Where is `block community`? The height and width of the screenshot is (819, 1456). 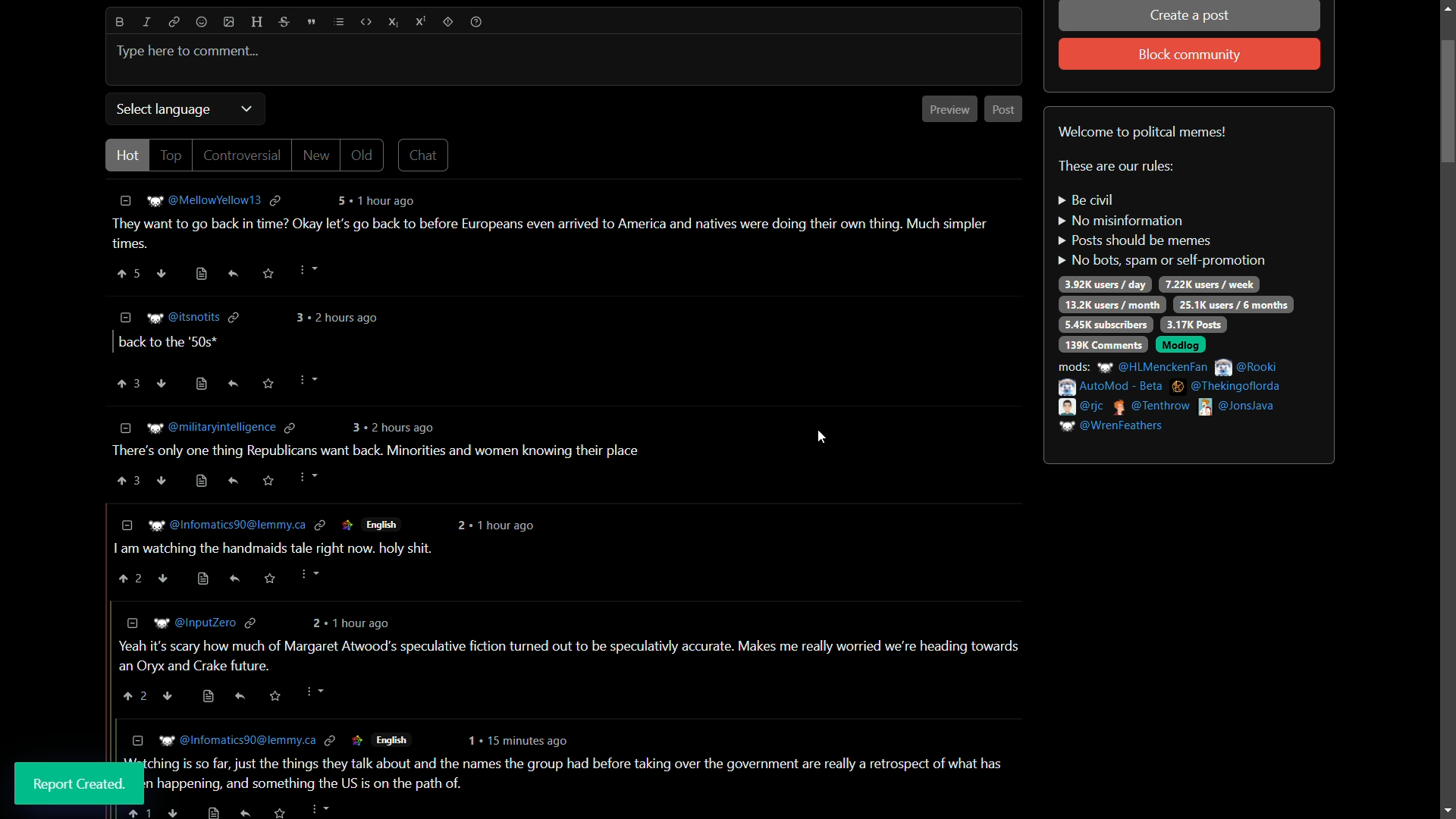
block community is located at coordinates (1188, 55).